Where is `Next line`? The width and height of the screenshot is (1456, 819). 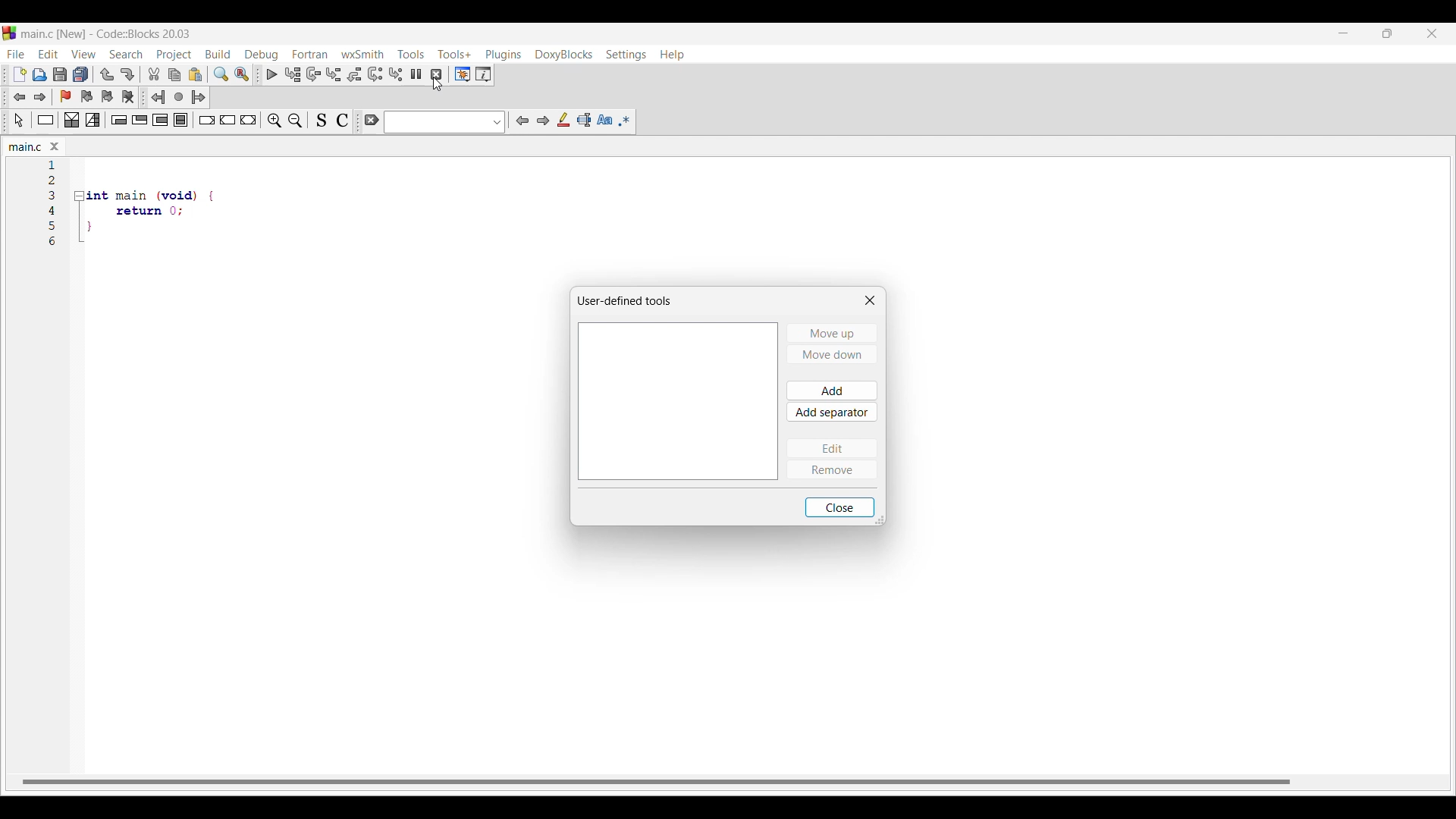 Next line is located at coordinates (314, 74).